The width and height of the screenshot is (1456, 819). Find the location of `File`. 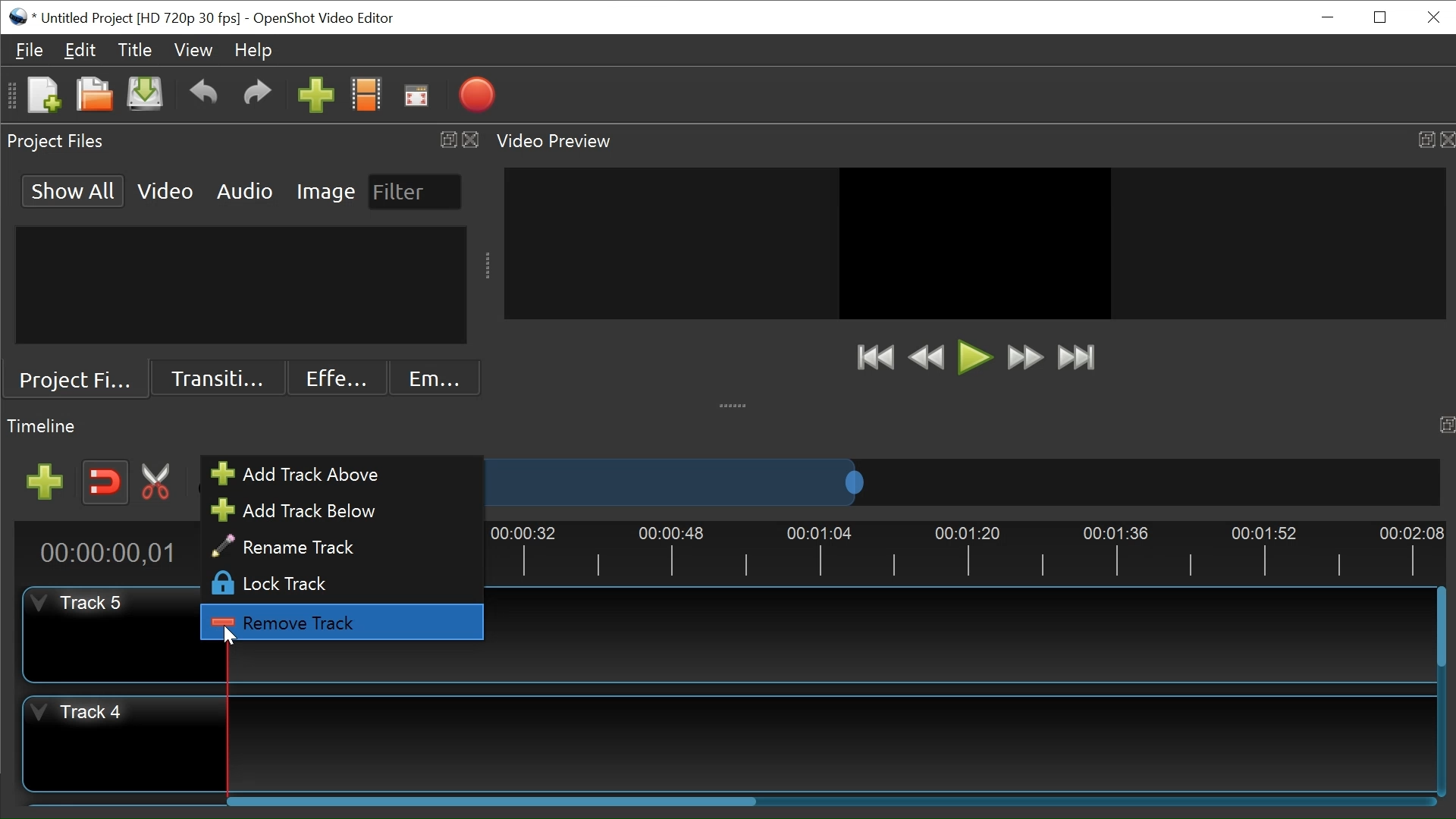

File is located at coordinates (30, 50).